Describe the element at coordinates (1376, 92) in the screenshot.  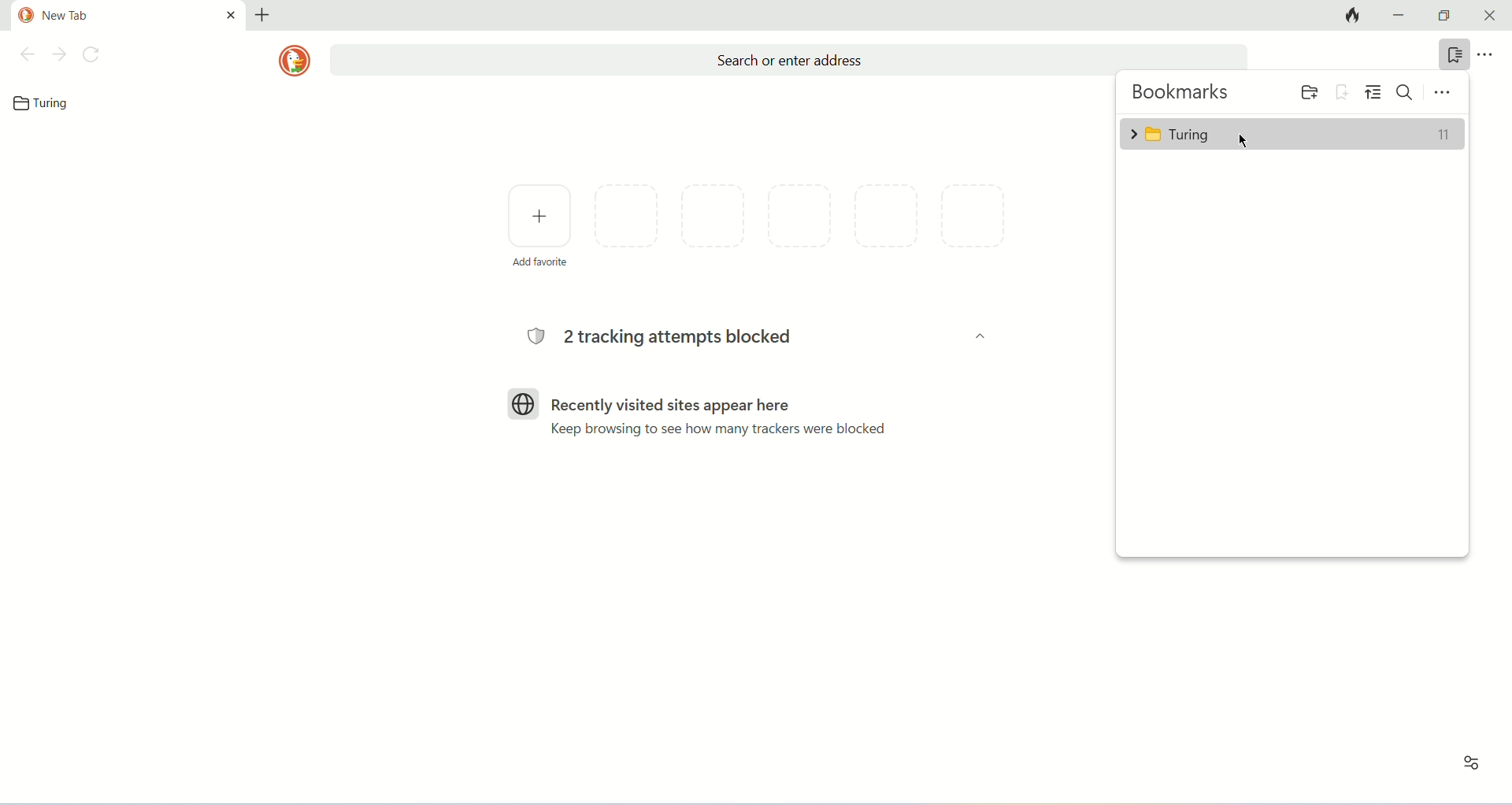
I see `view option` at that location.